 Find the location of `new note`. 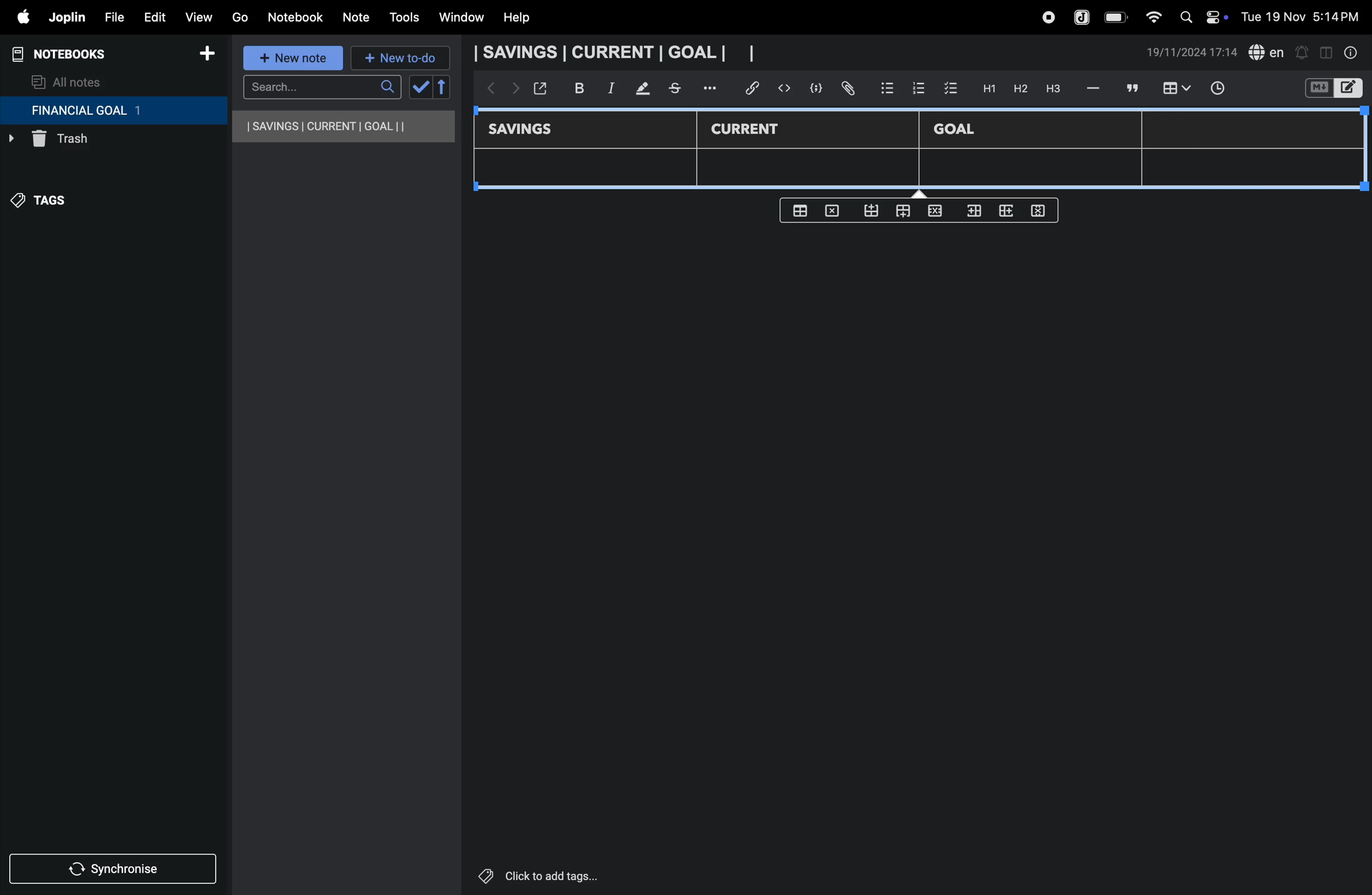

new note is located at coordinates (295, 59).